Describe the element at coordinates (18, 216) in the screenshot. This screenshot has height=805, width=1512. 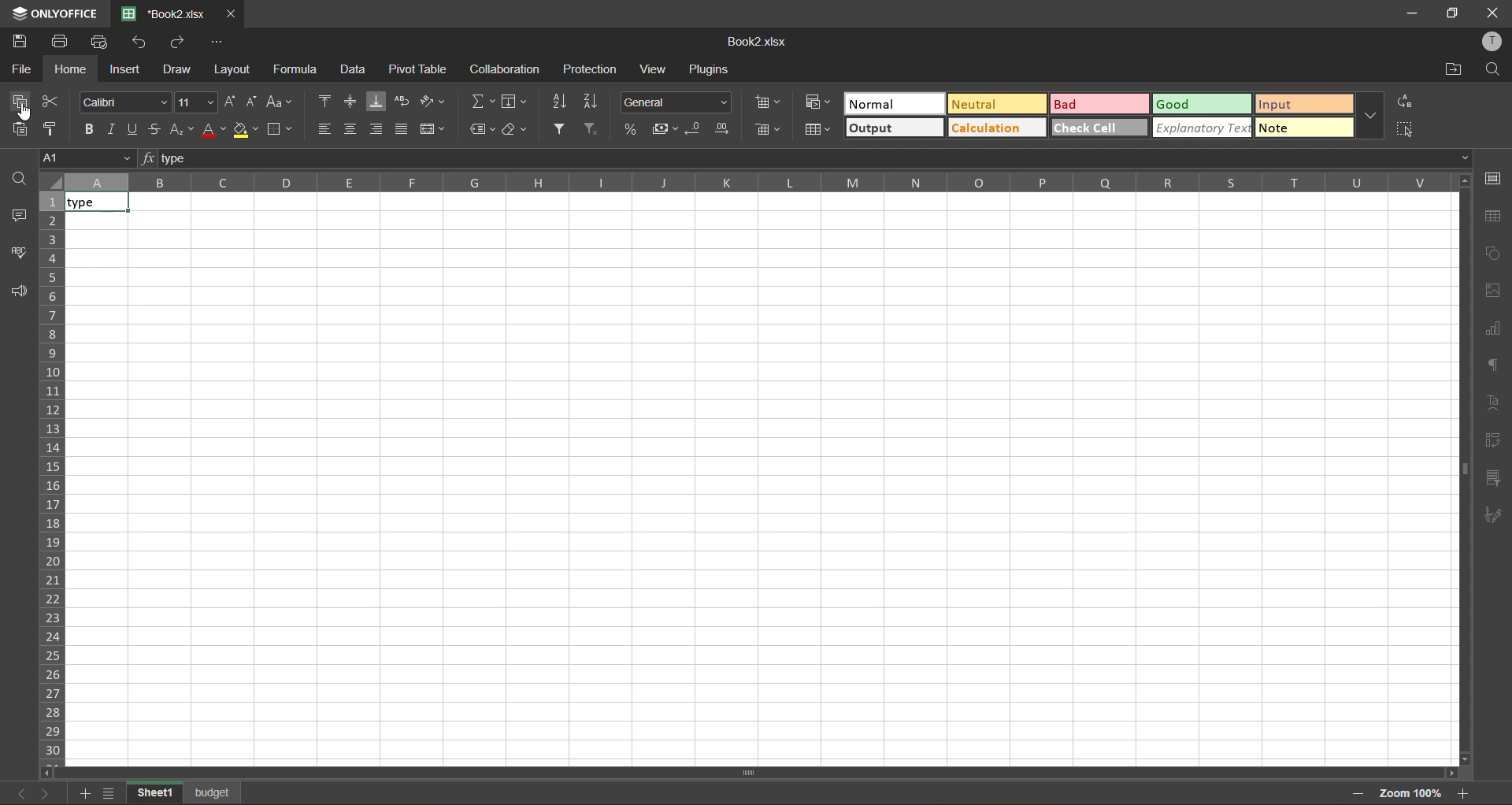
I see `comments` at that location.